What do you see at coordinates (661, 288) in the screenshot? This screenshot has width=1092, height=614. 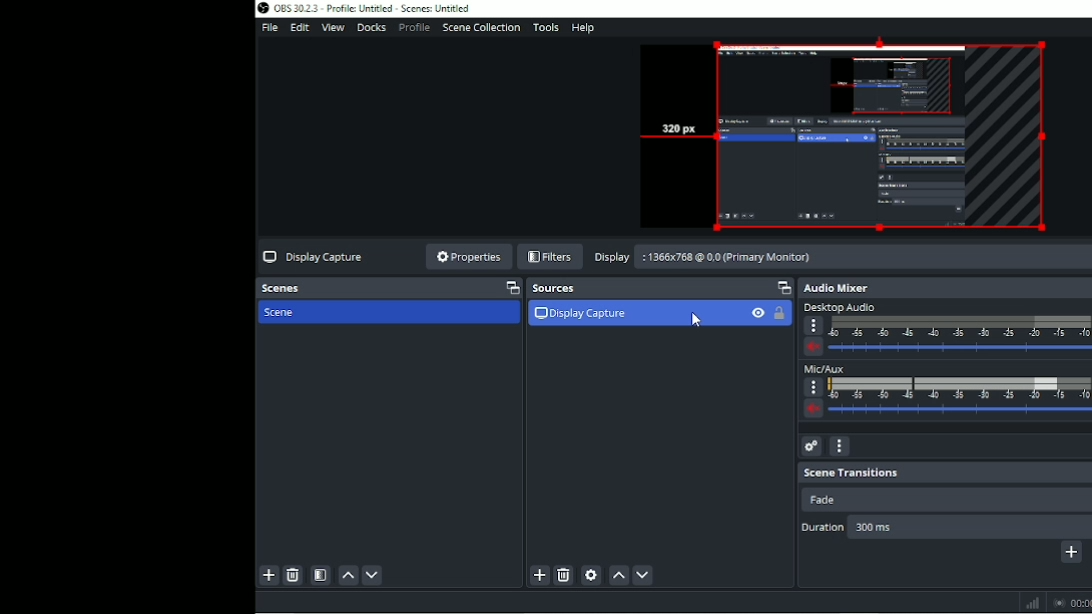 I see `Sources` at bounding box center [661, 288].